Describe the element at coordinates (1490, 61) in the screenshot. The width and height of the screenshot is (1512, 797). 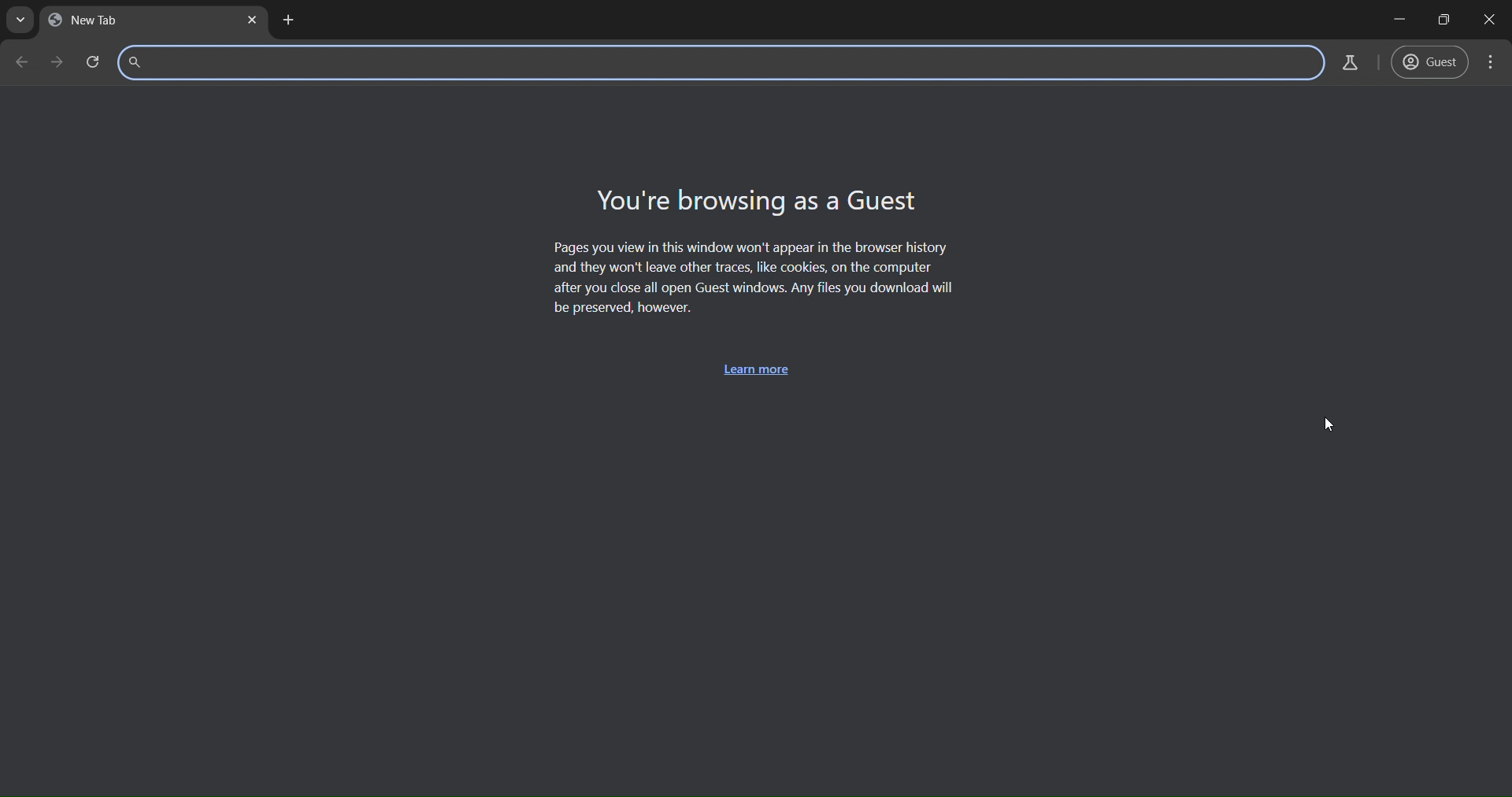
I see `menu` at that location.